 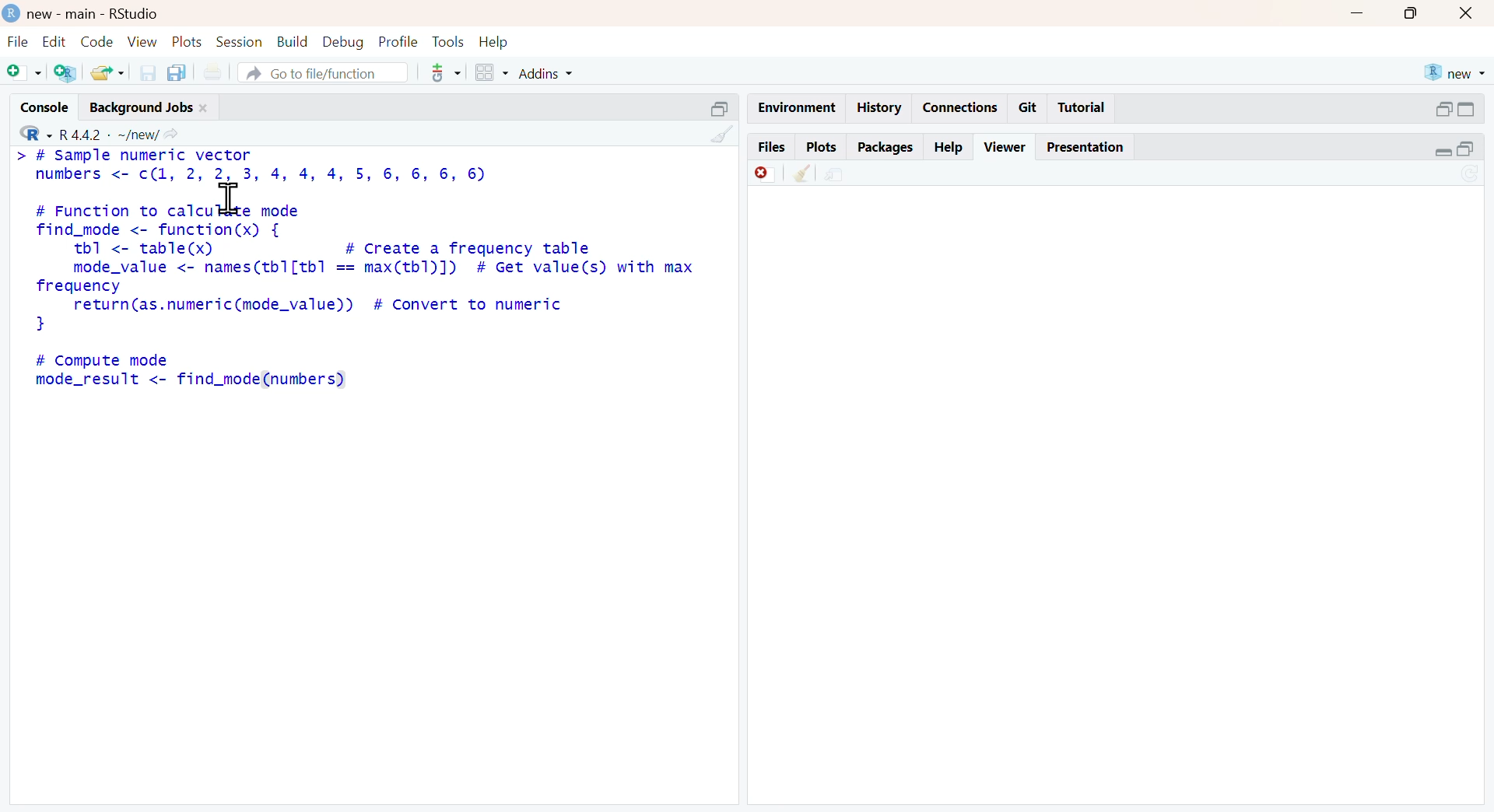 I want to click on session, so click(x=240, y=42).